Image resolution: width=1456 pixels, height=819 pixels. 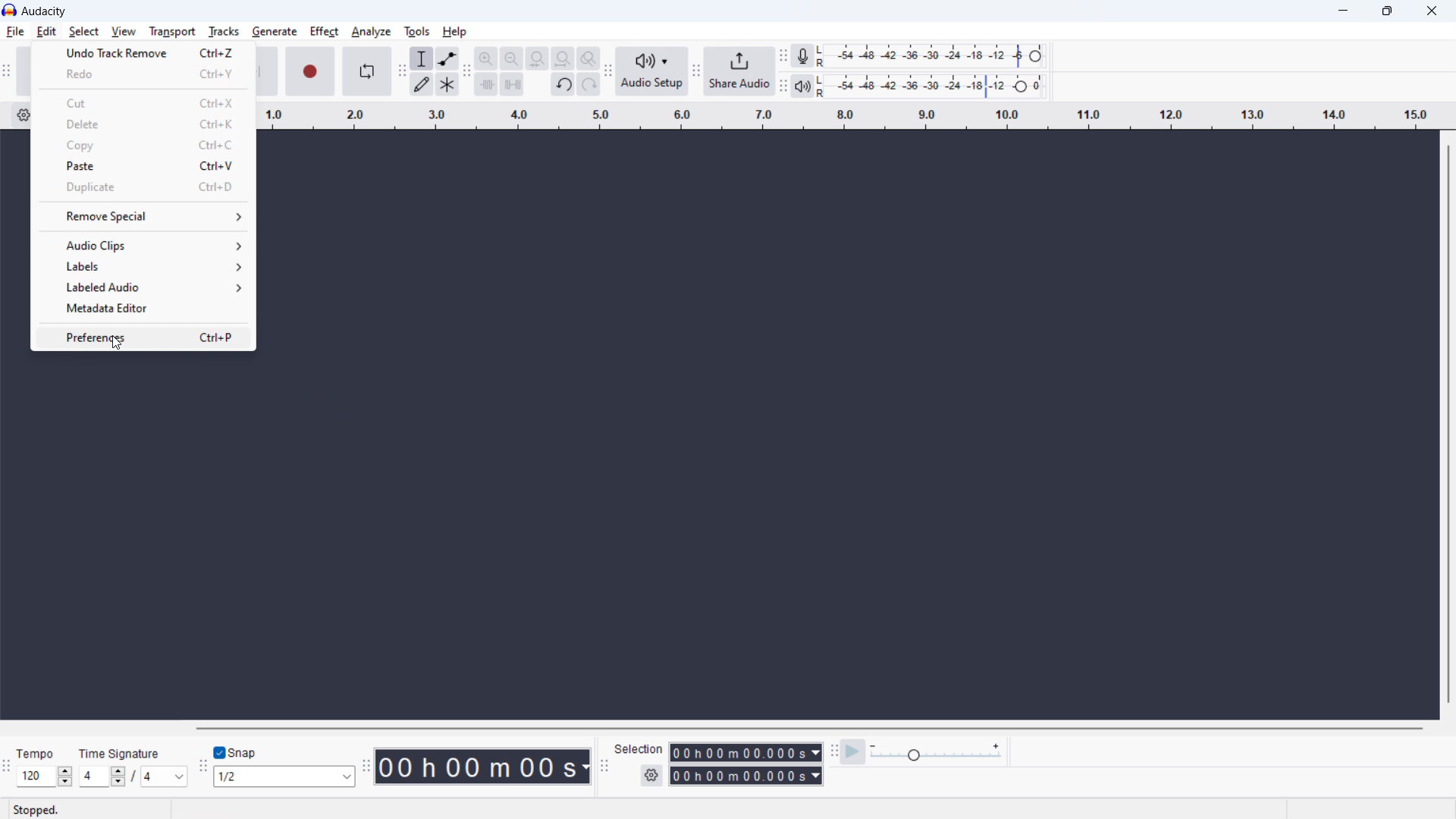 What do you see at coordinates (6, 767) in the screenshot?
I see `time signature toolbar` at bounding box center [6, 767].